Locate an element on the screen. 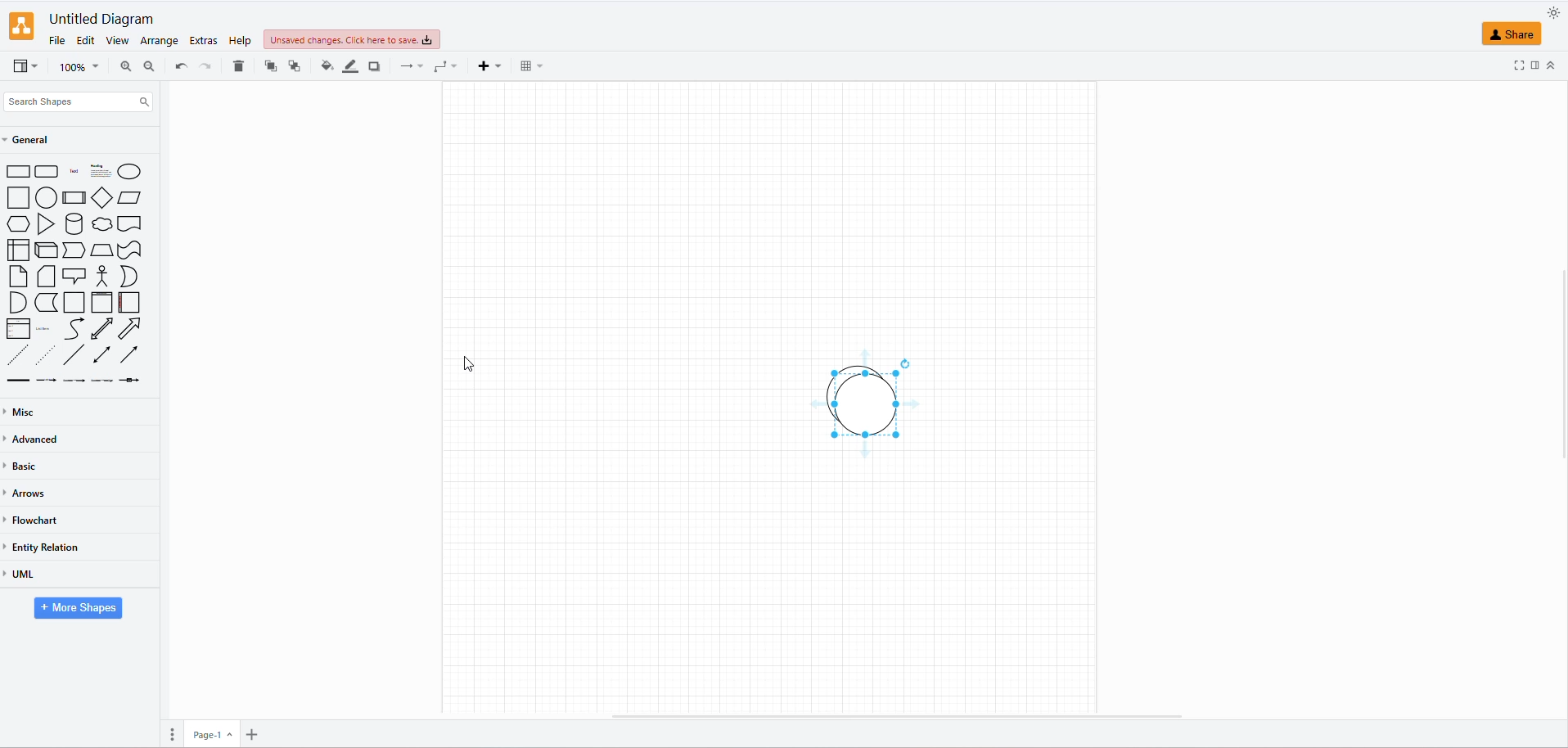  LINE is located at coordinates (70, 354).